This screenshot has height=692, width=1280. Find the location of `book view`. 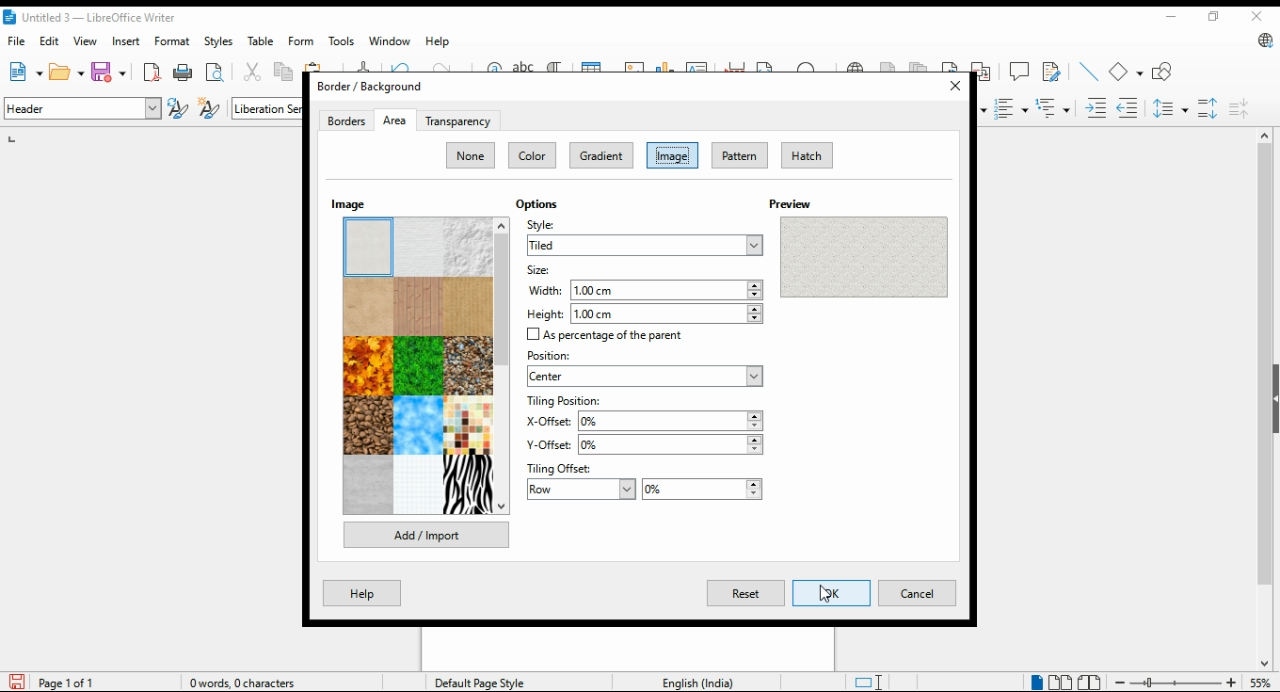

book view is located at coordinates (1090, 683).